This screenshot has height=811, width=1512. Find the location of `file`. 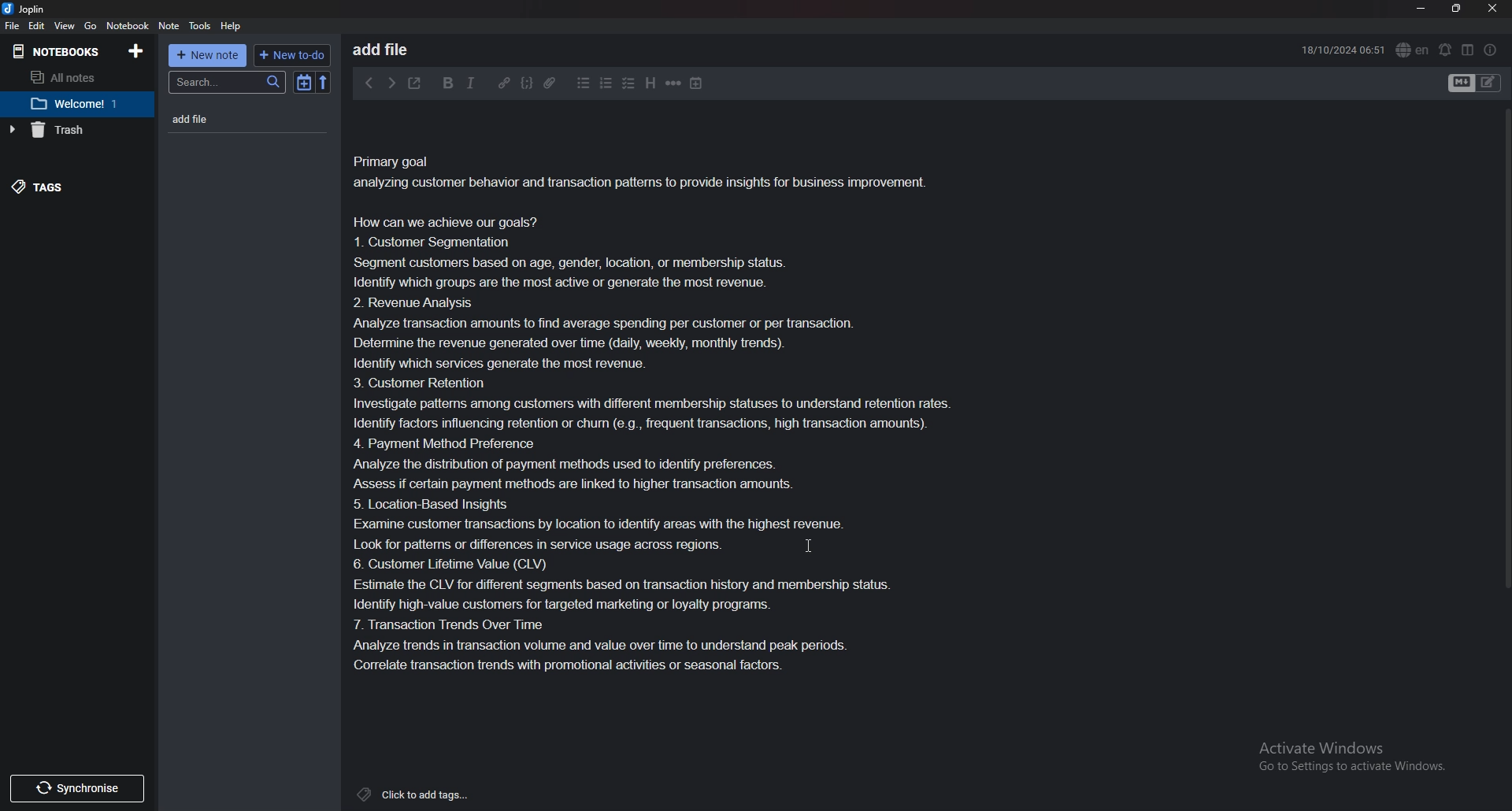

file is located at coordinates (13, 25).